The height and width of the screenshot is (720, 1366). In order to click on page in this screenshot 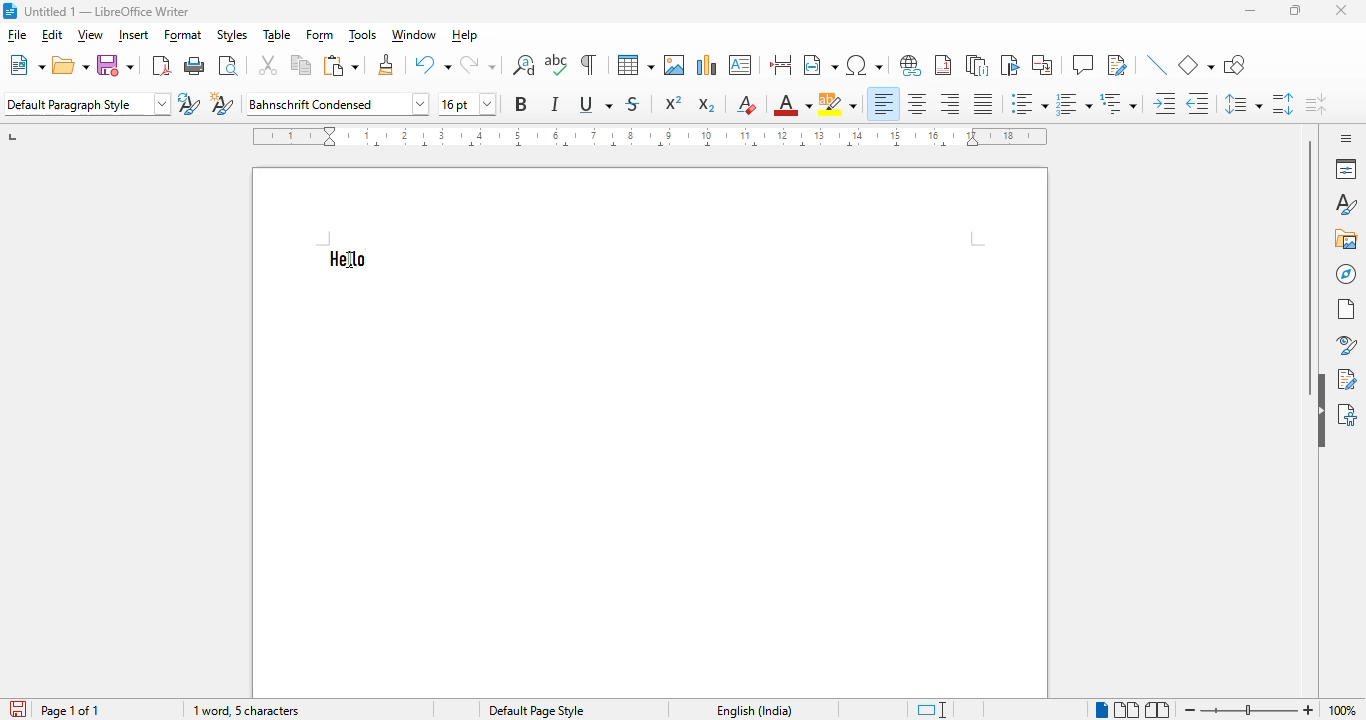, I will do `click(1347, 309)`.